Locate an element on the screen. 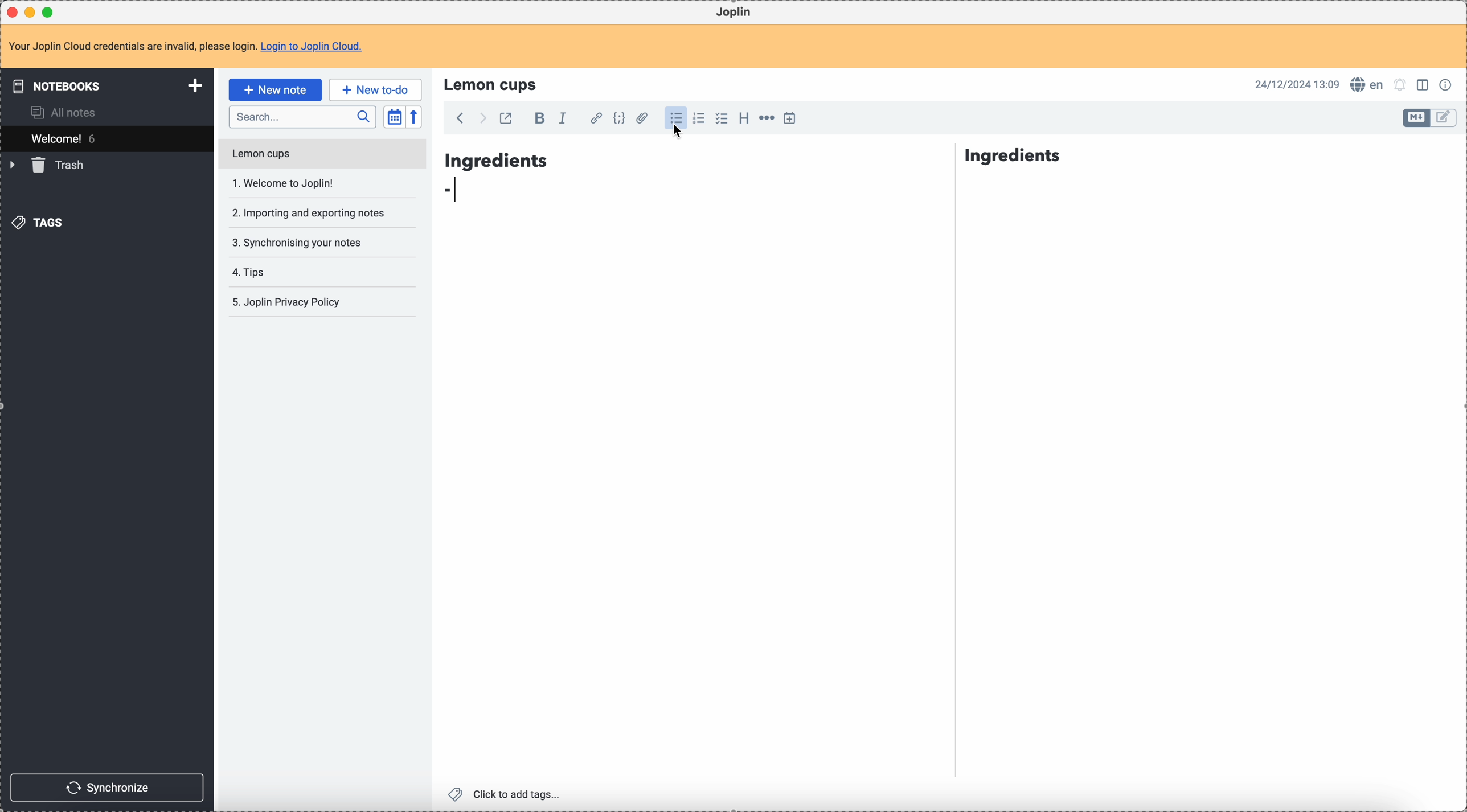  minimize is located at coordinates (32, 13).